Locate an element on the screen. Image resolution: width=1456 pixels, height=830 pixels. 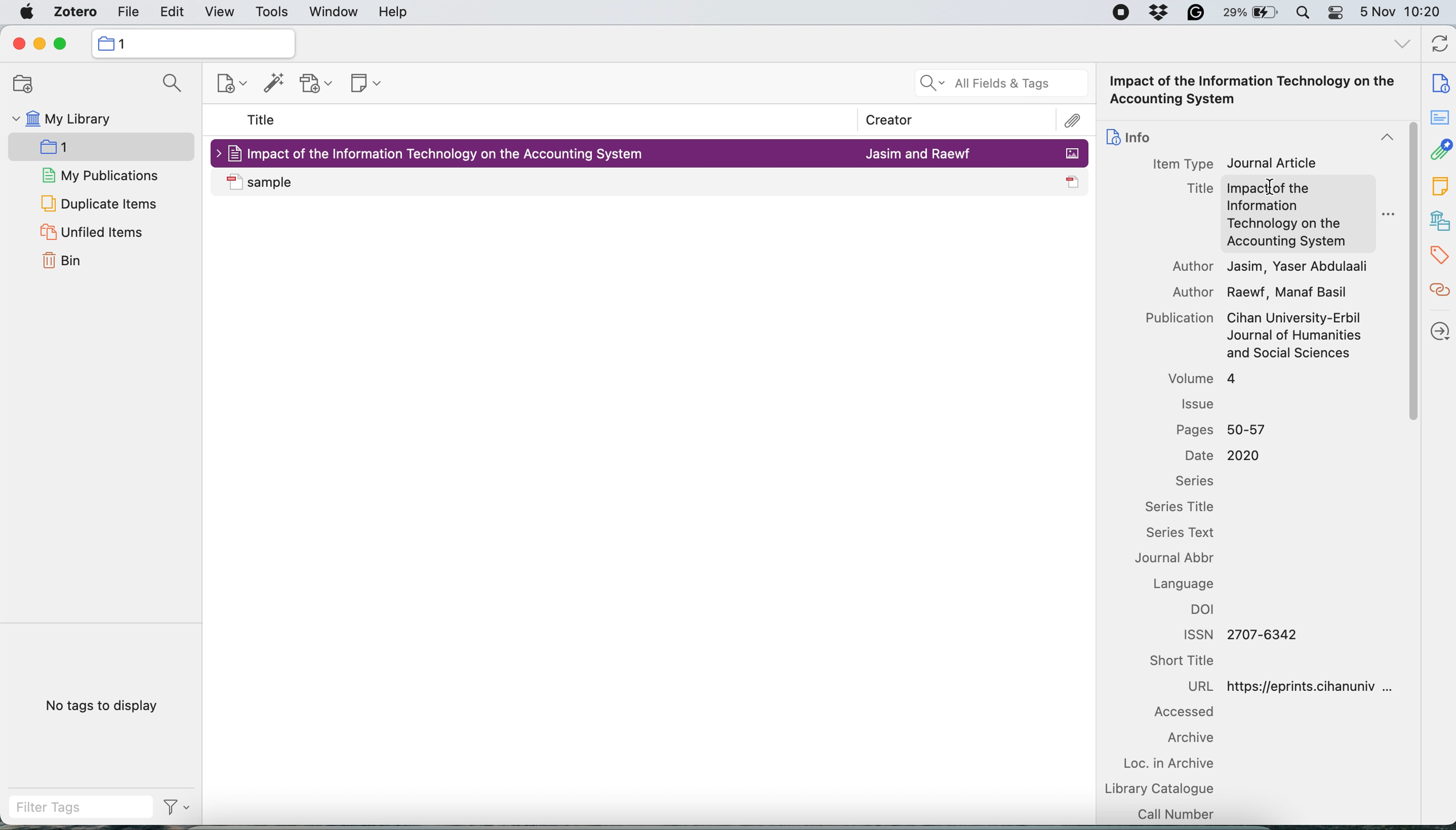
short title is located at coordinates (1185, 661).